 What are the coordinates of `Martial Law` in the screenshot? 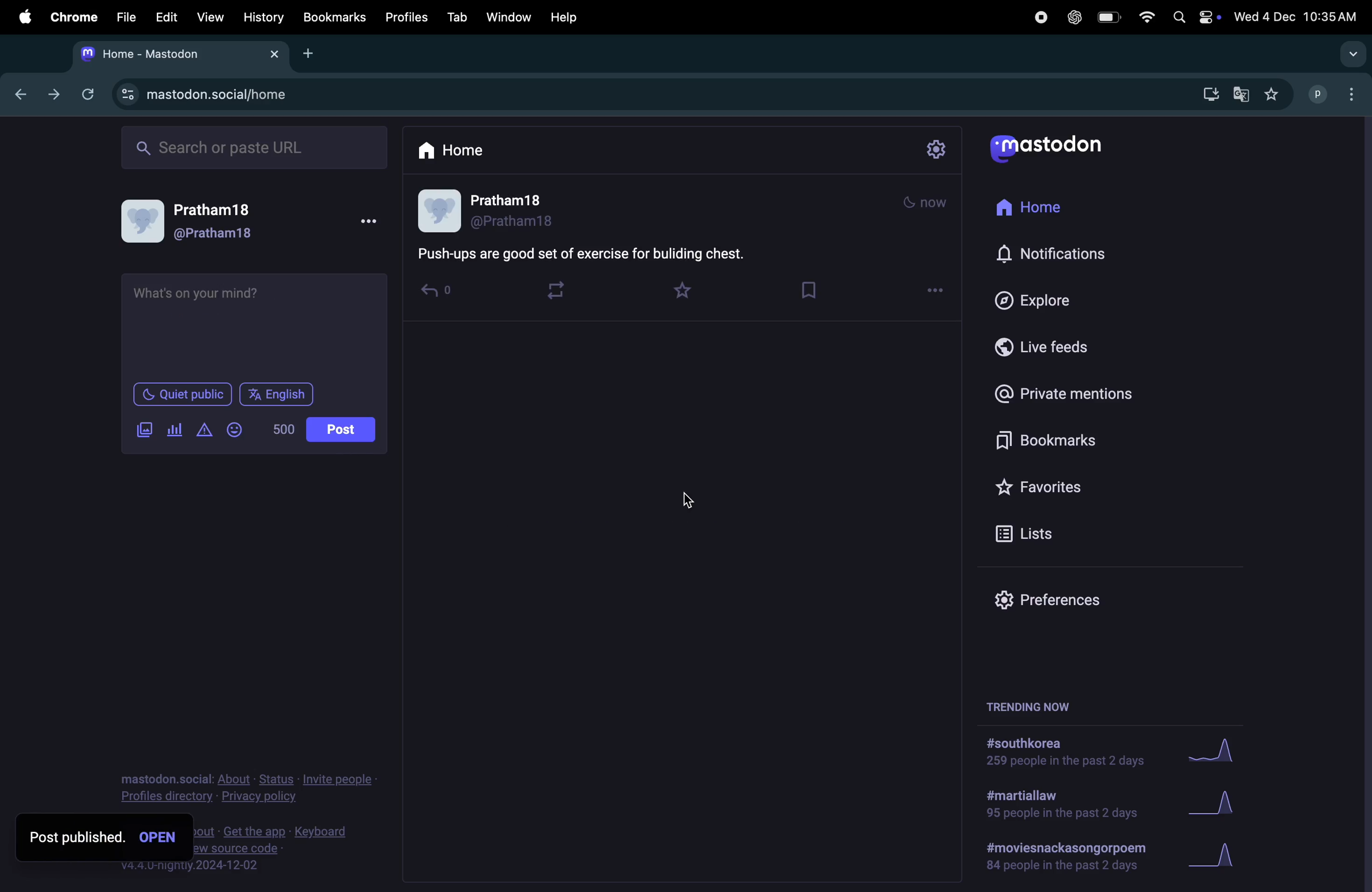 It's located at (1057, 806).